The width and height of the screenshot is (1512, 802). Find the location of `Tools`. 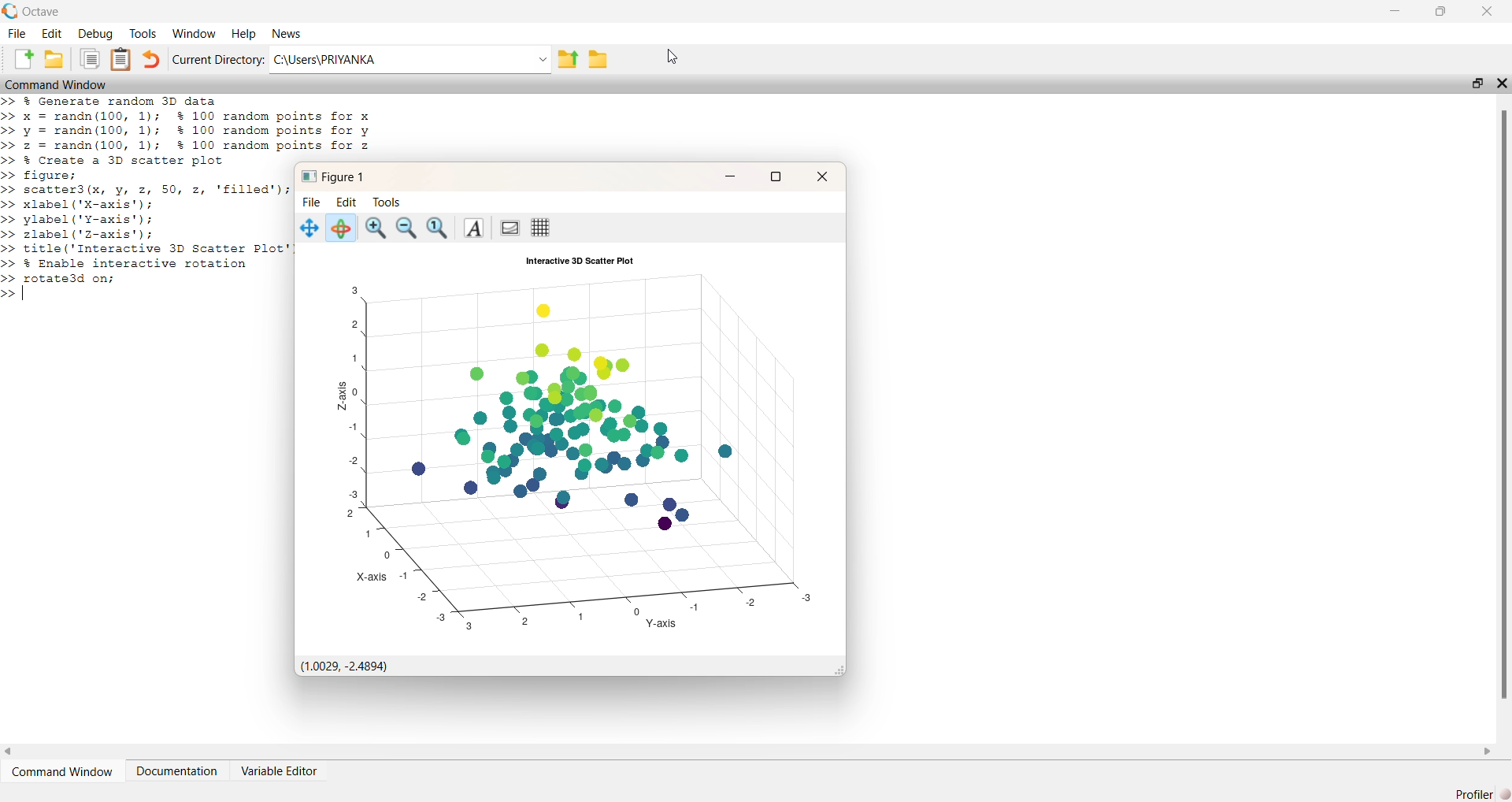

Tools is located at coordinates (143, 34).